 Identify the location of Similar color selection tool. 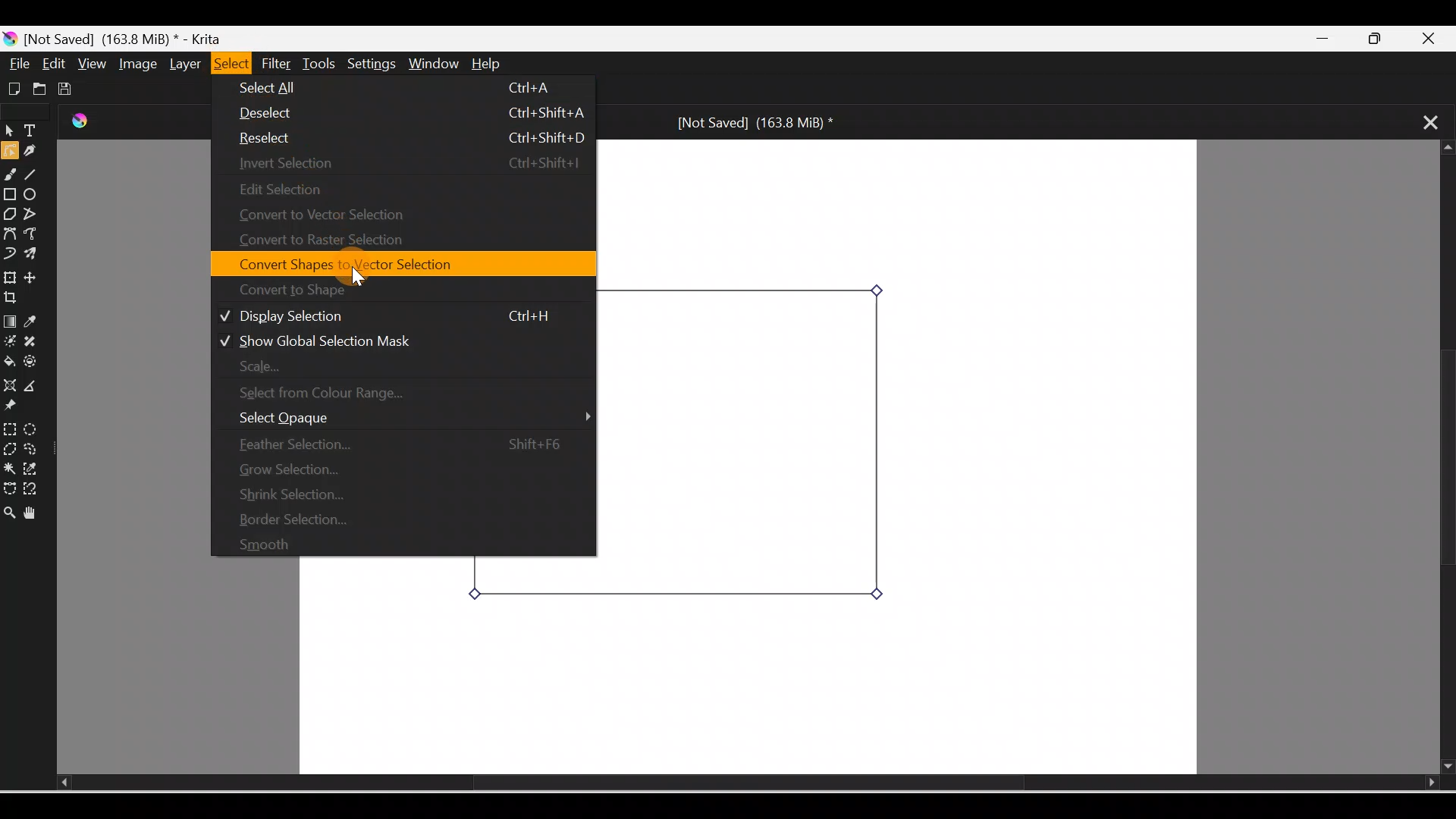
(33, 467).